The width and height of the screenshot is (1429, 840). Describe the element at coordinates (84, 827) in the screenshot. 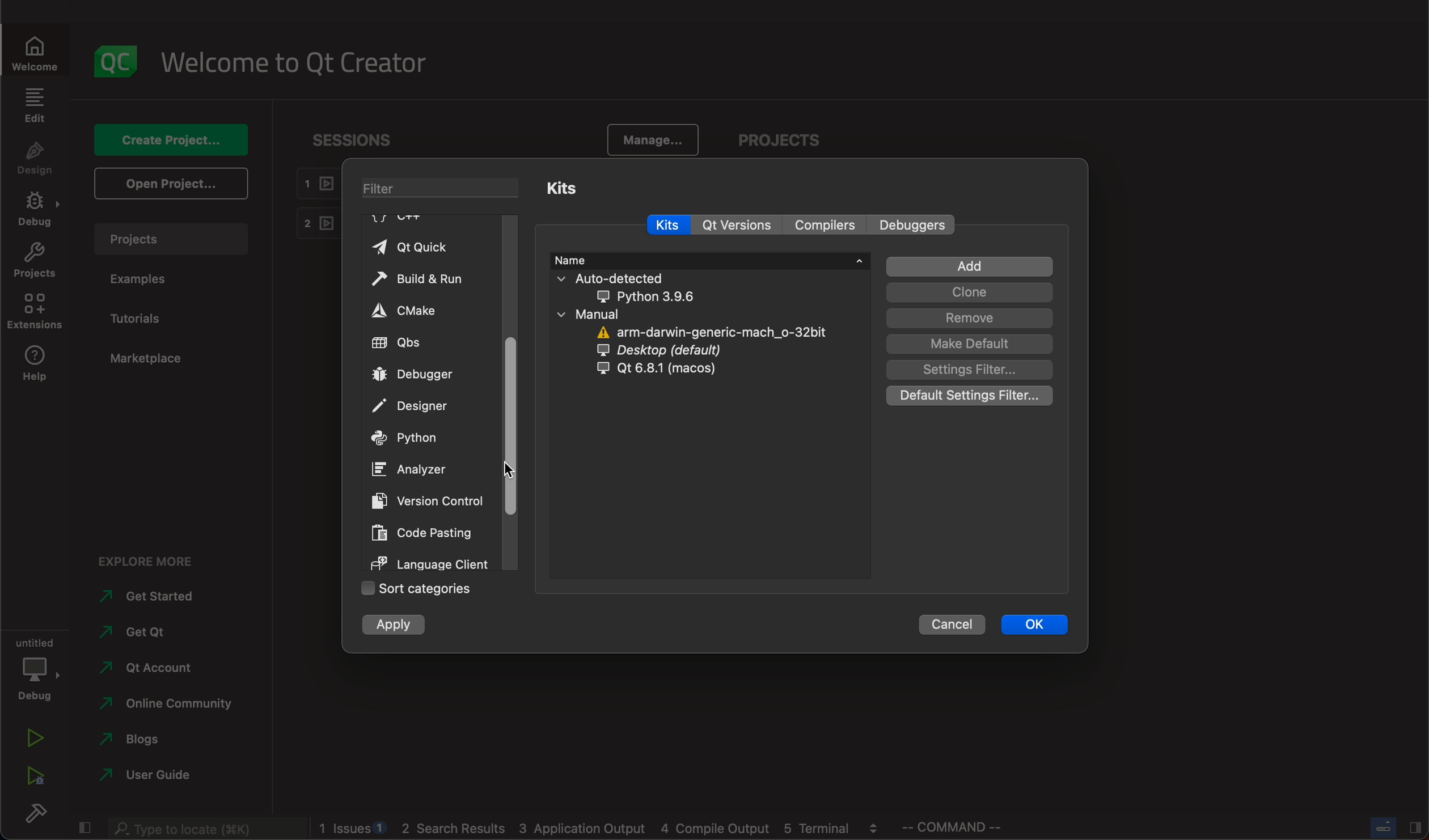

I see `close slide bar` at that location.